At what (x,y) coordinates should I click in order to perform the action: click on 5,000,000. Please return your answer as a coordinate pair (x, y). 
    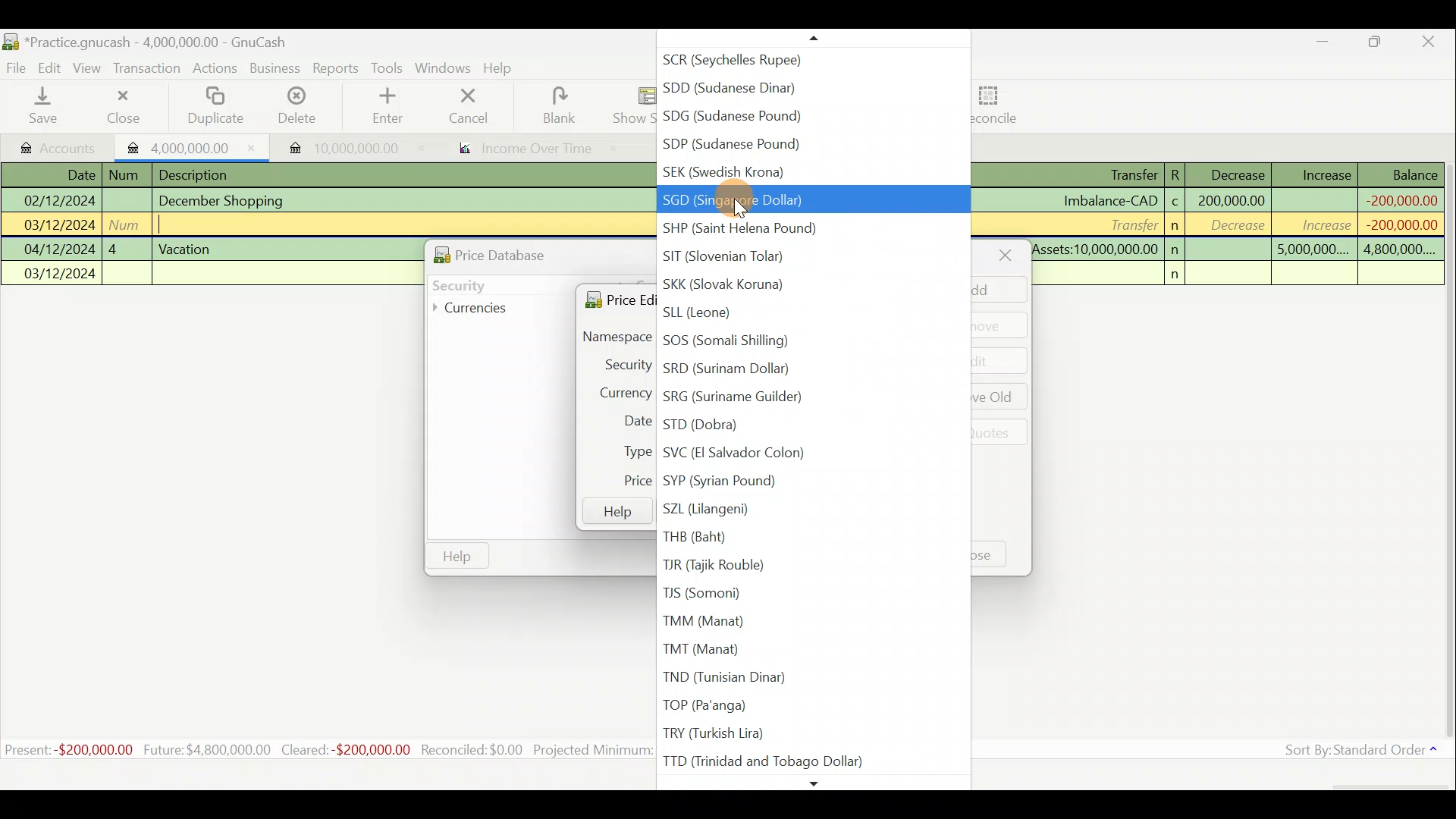
    Looking at the image, I should click on (1313, 252).